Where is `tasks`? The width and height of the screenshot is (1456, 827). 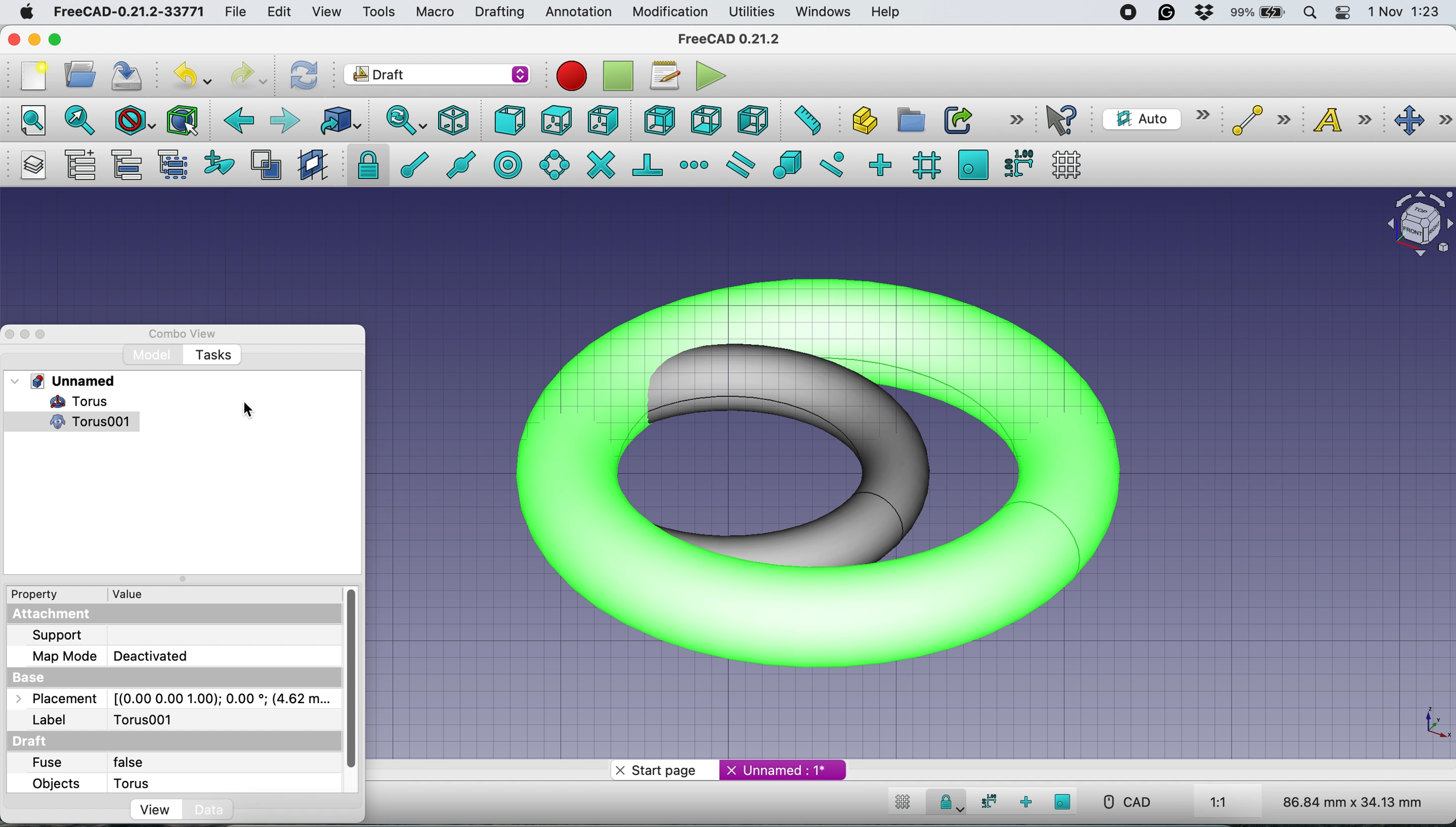 tasks is located at coordinates (216, 355).